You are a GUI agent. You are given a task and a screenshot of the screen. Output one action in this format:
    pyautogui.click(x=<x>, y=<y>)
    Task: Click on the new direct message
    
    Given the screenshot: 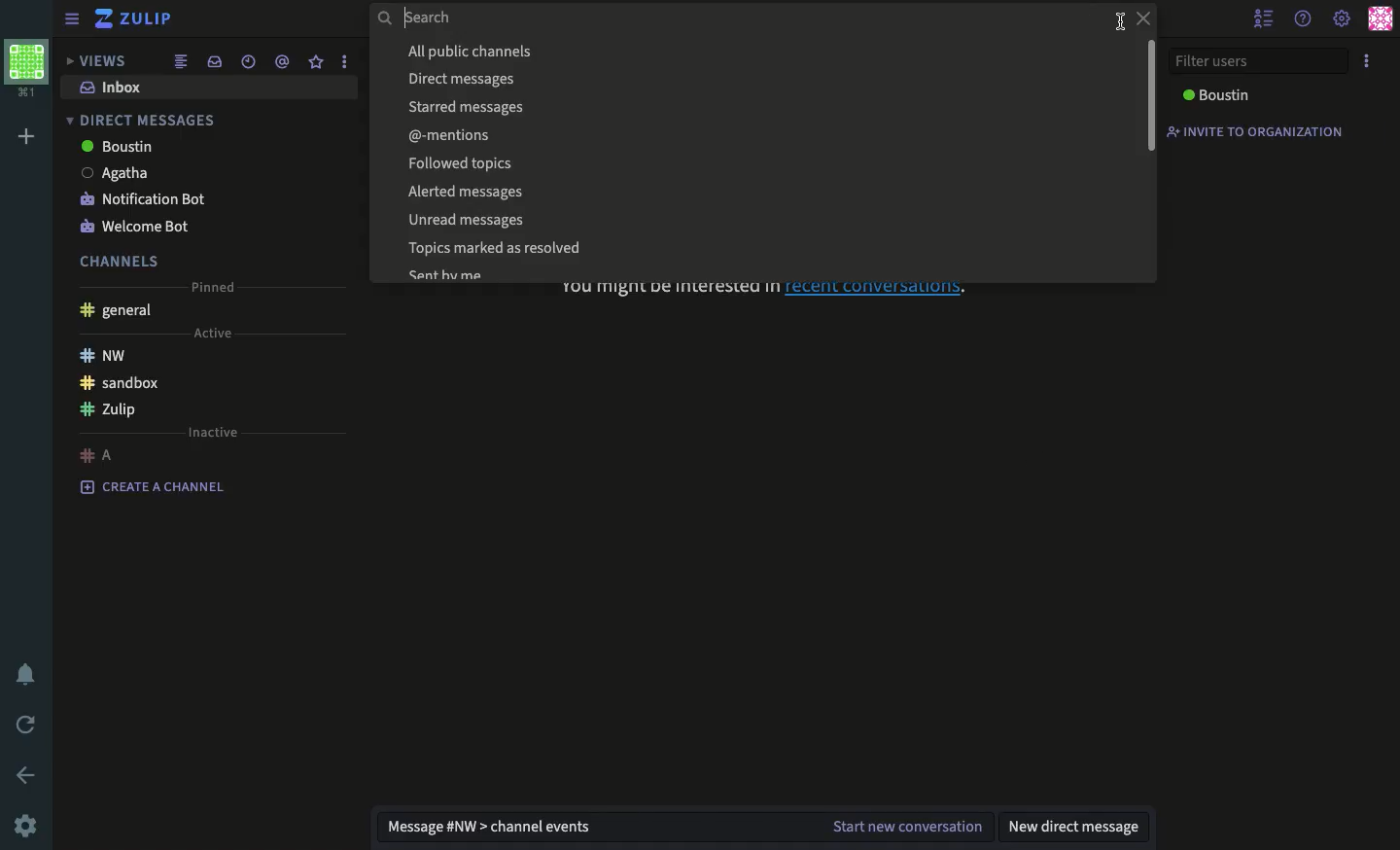 What is the action you would take?
    pyautogui.click(x=1077, y=827)
    